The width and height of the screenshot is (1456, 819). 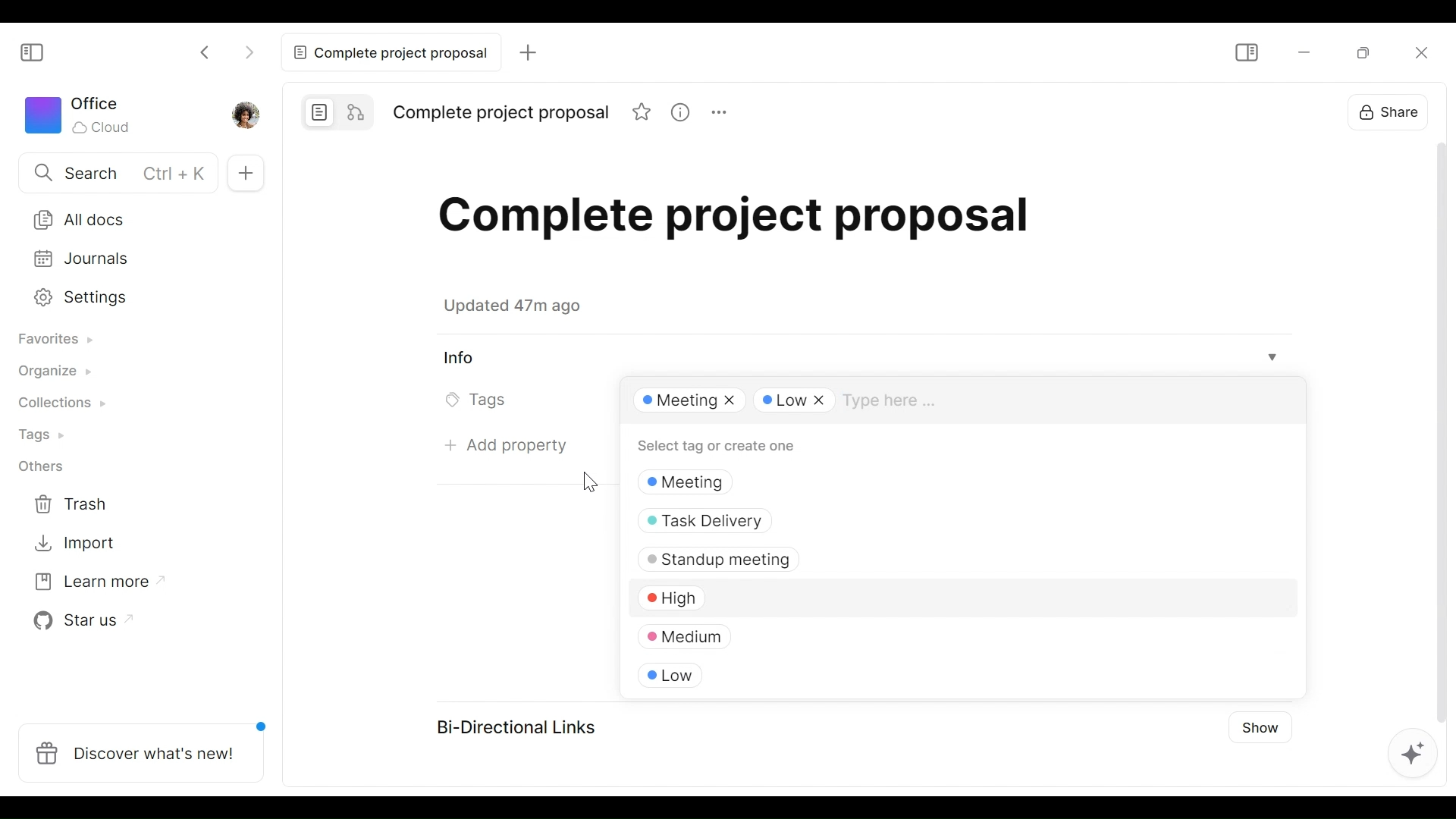 I want to click on Add Tab, so click(x=246, y=171).